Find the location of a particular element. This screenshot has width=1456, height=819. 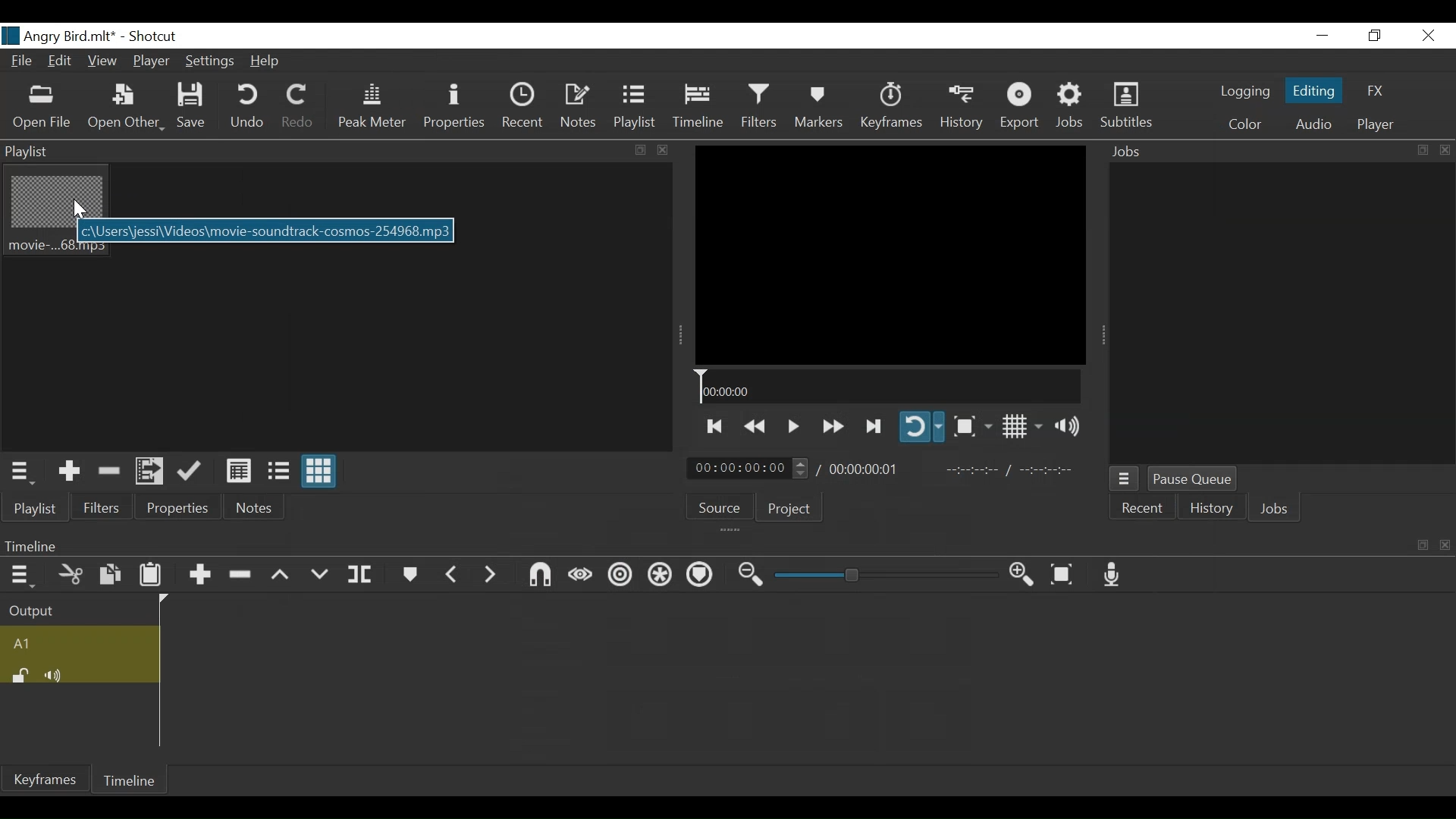

resize is located at coordinates (639, 150).